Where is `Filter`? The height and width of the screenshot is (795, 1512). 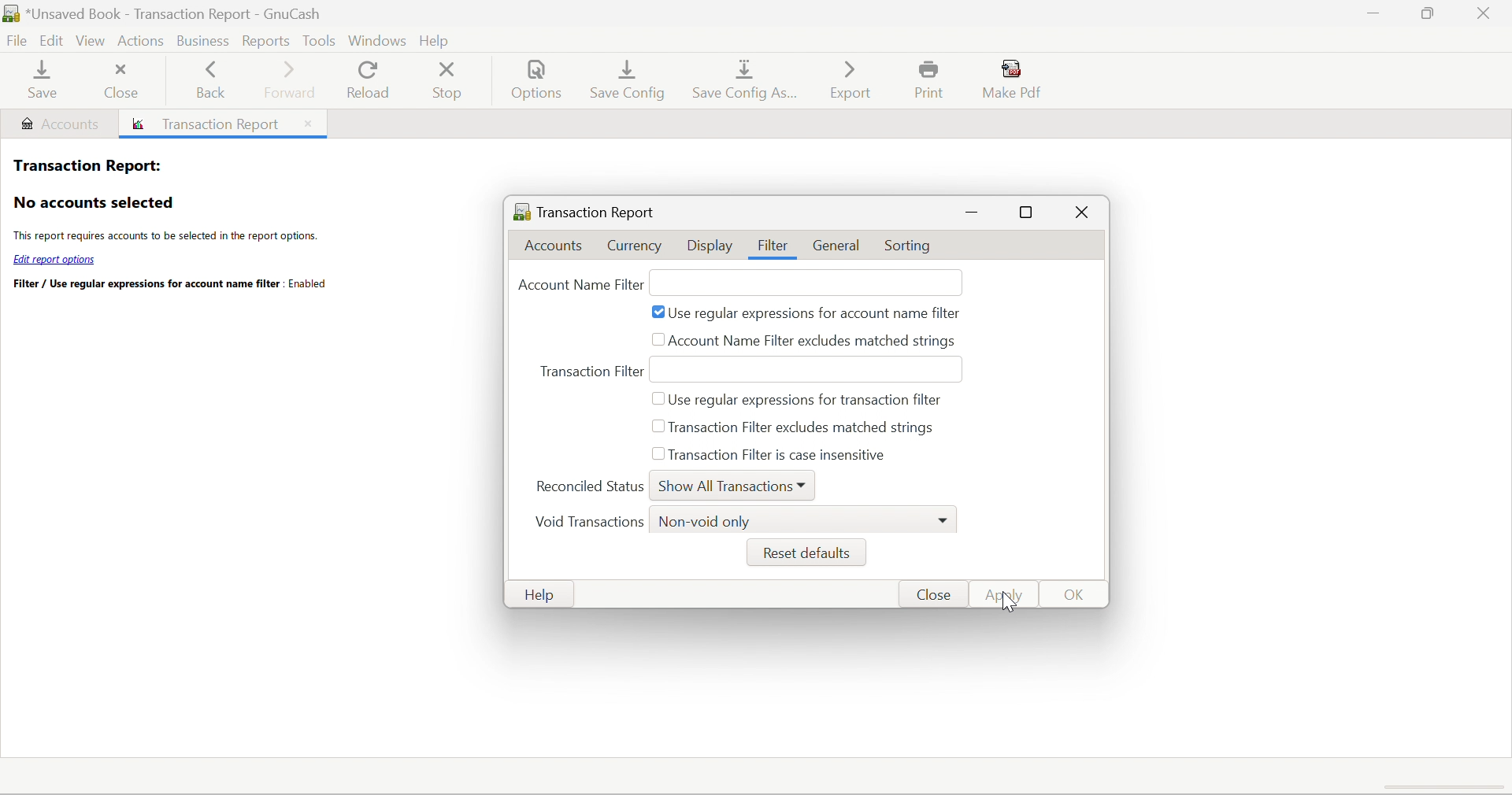 Filter is located at coordinates (773, 246).